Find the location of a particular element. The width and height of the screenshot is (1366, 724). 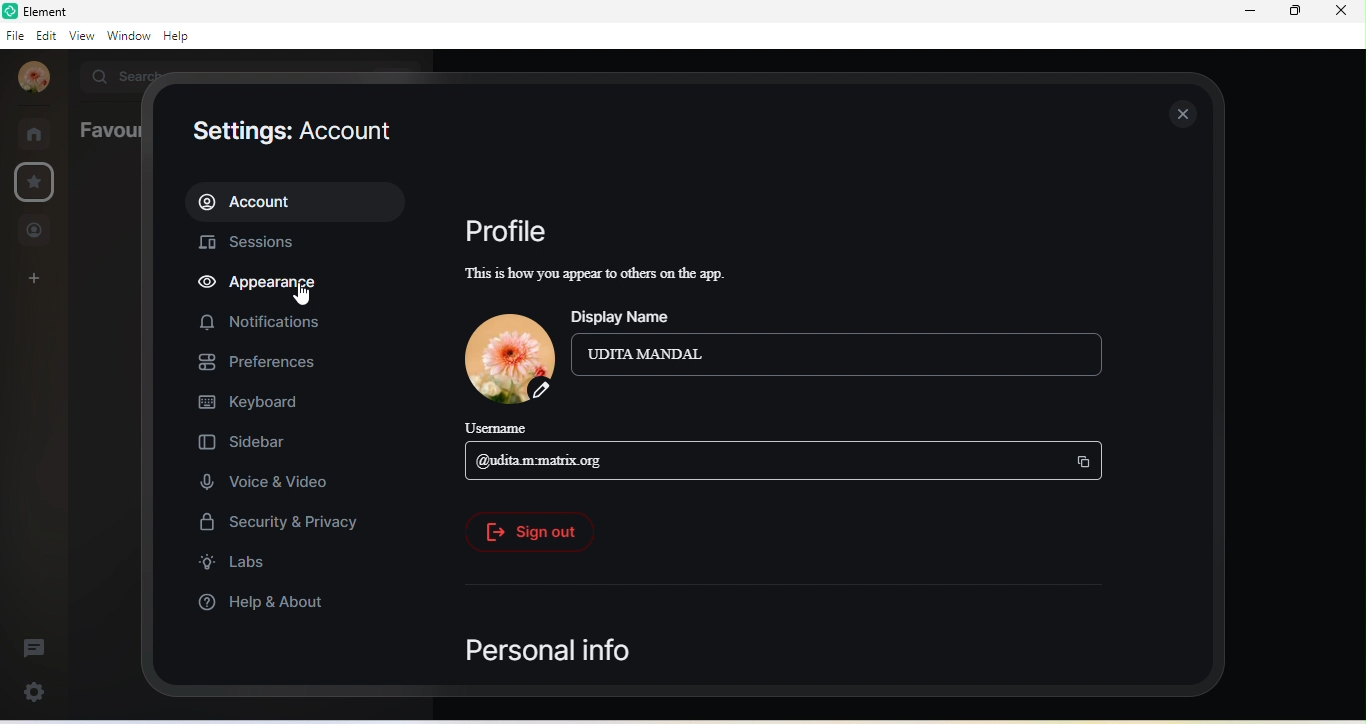

username is located at coordinates (508, 429).